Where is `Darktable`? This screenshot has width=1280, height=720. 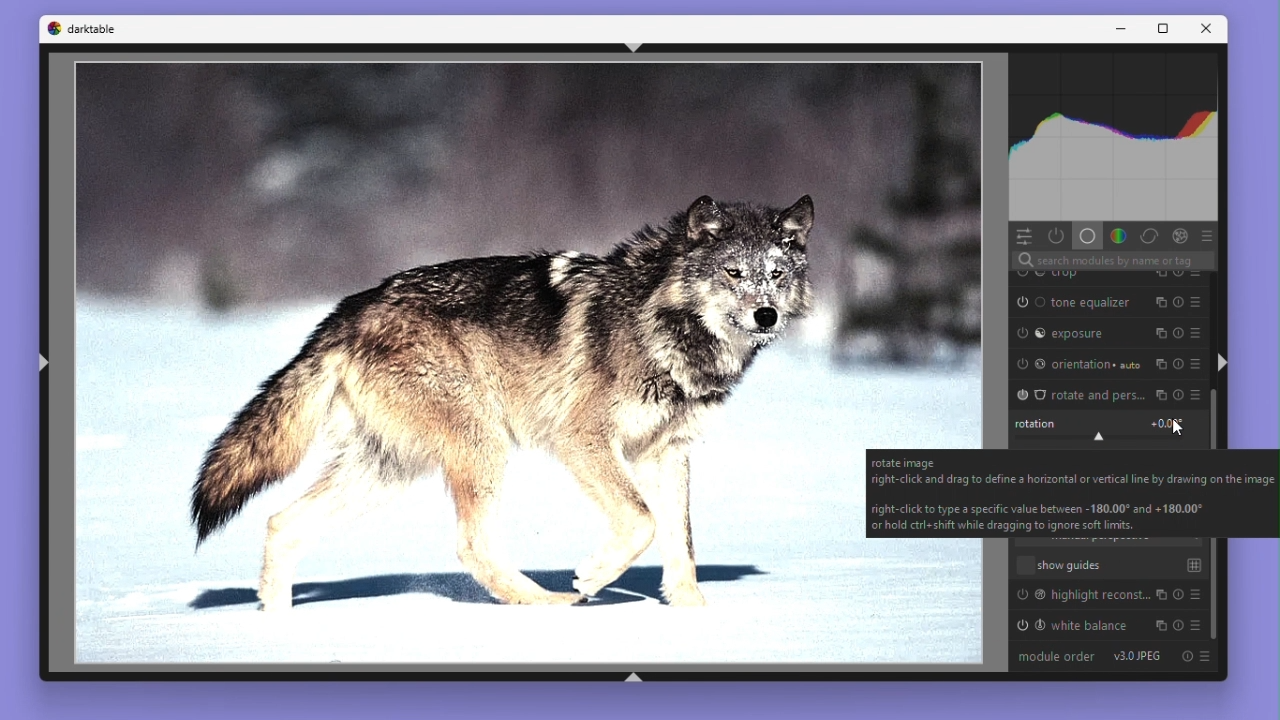
Darktable is located at coordinates (81, 28).